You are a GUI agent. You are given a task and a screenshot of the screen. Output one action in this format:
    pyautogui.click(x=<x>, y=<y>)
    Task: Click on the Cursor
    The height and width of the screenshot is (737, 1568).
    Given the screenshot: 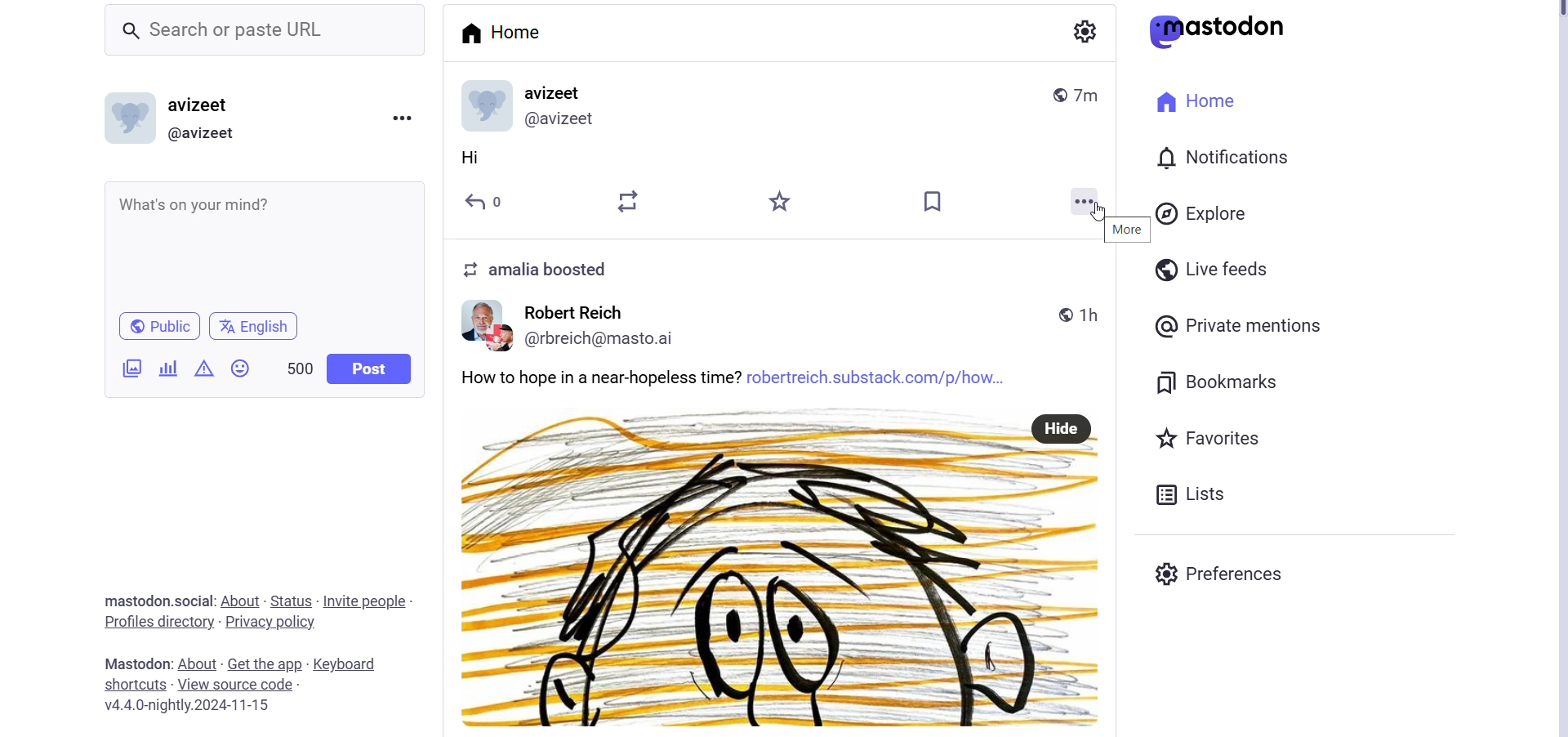 What is the action you would take?
    pyautogui.click(x=1099, y=210)
    